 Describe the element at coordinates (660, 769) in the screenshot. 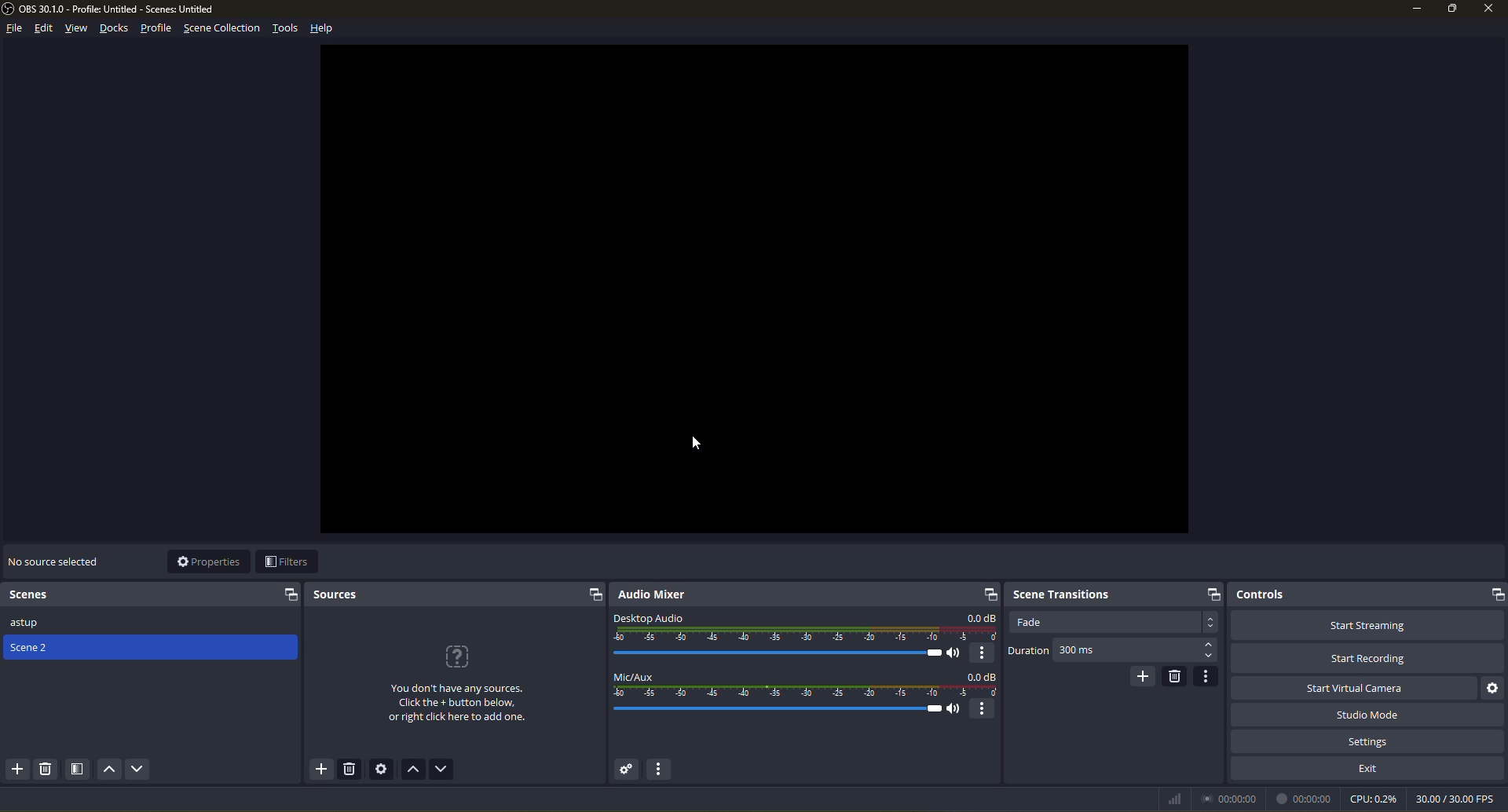

I see `audio mixer menu` at that location.